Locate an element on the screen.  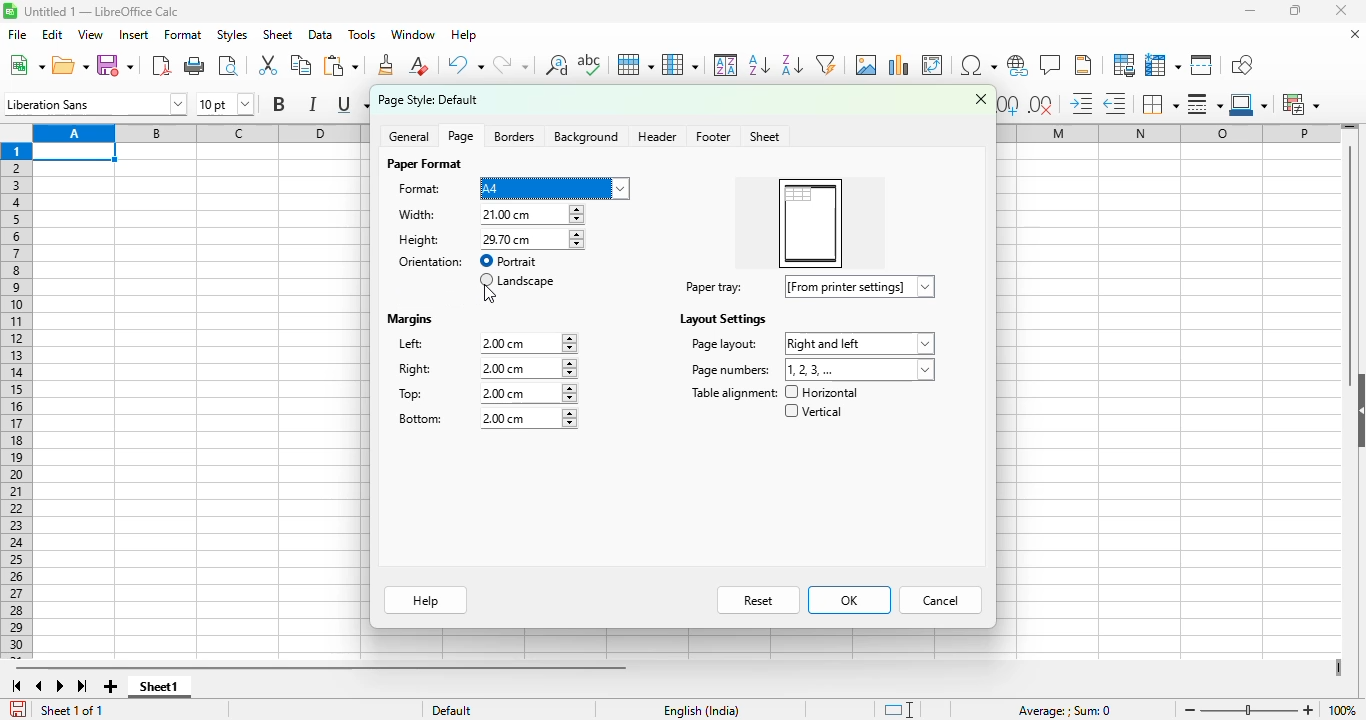
footer is located at coordinates (712, 137).